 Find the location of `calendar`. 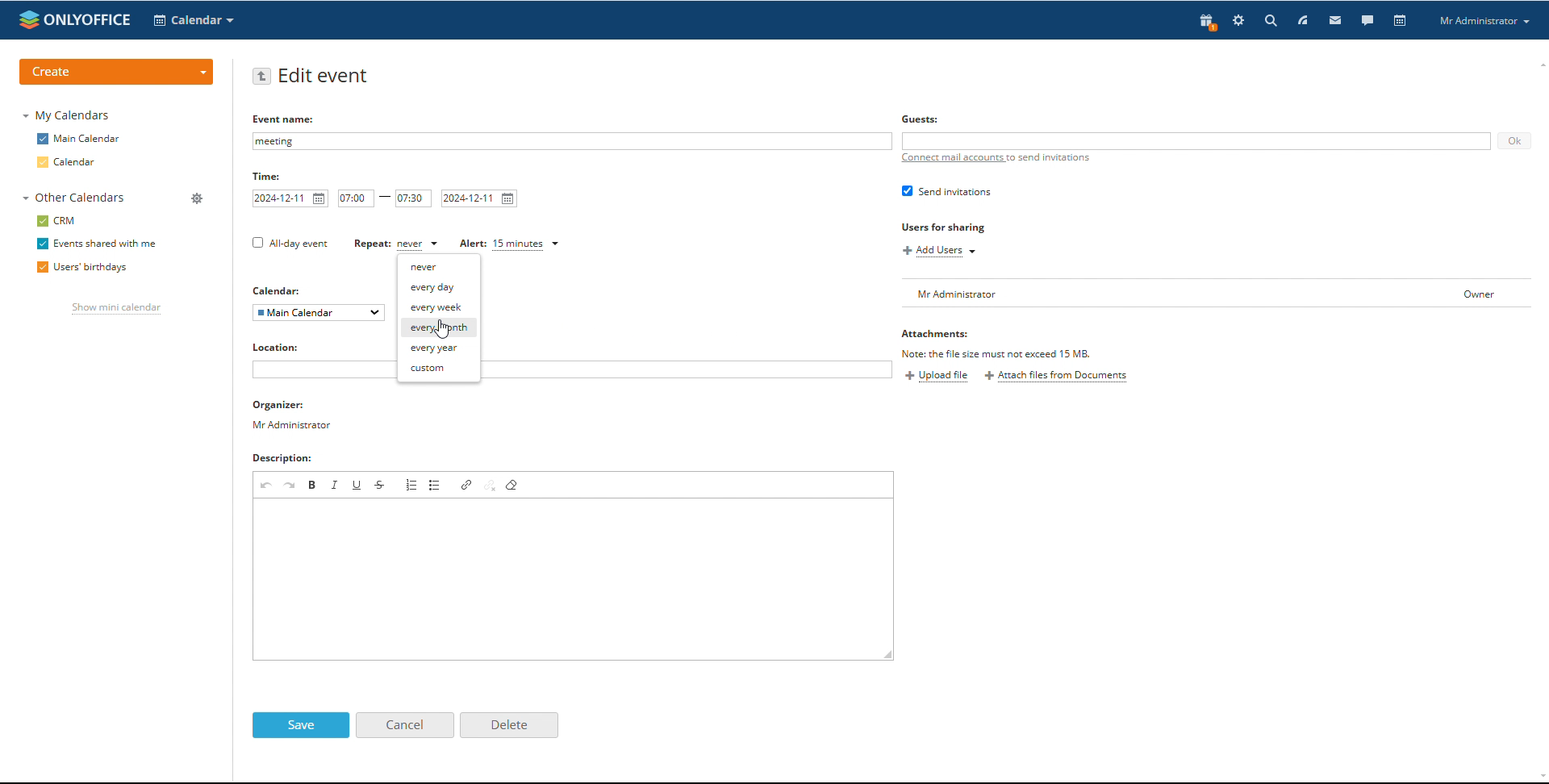

calendar is located at coordinates (1401, 20).